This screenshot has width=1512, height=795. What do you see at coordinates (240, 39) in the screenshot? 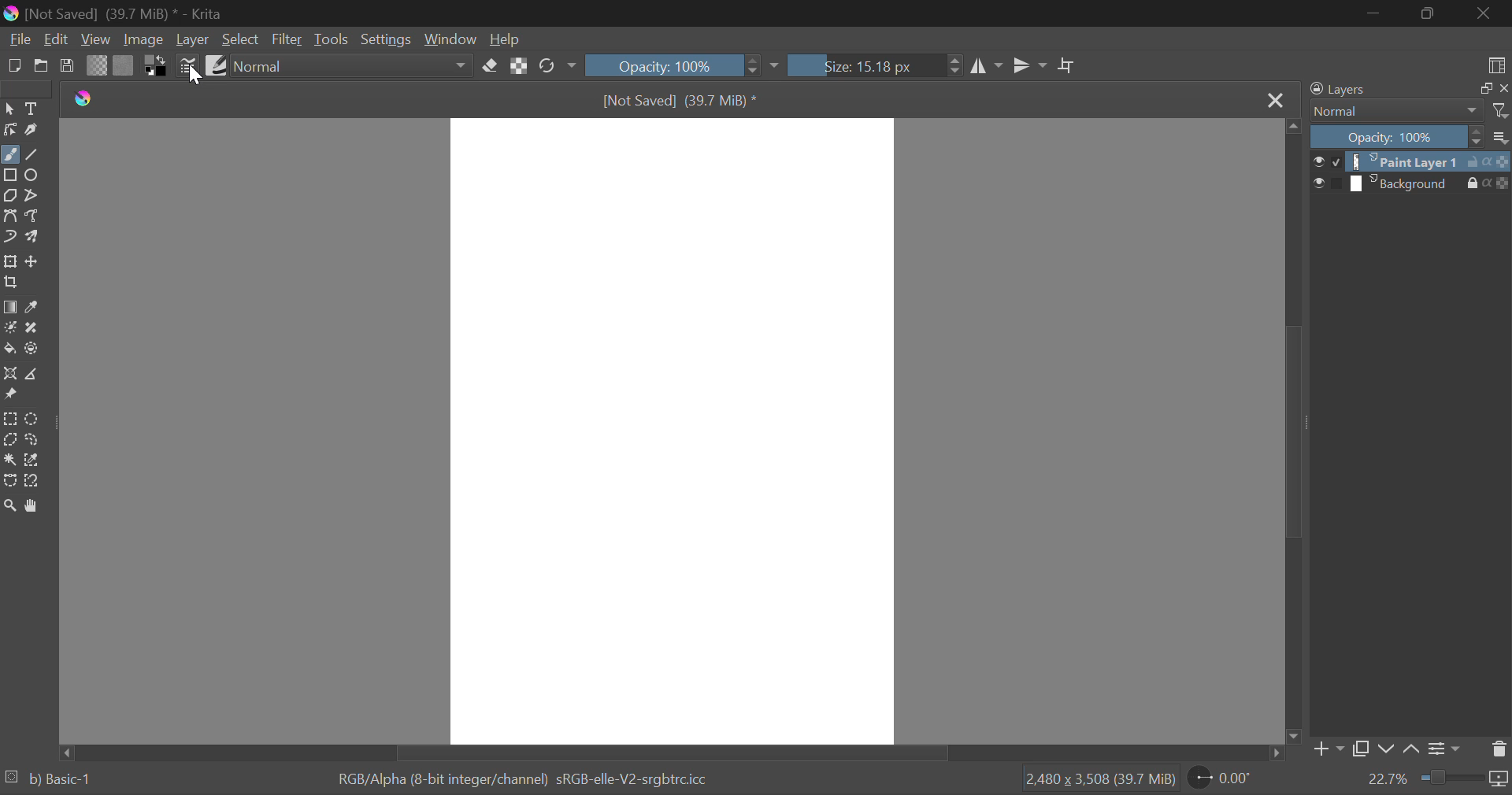
I see `Select` at bounding box center [240, 39].